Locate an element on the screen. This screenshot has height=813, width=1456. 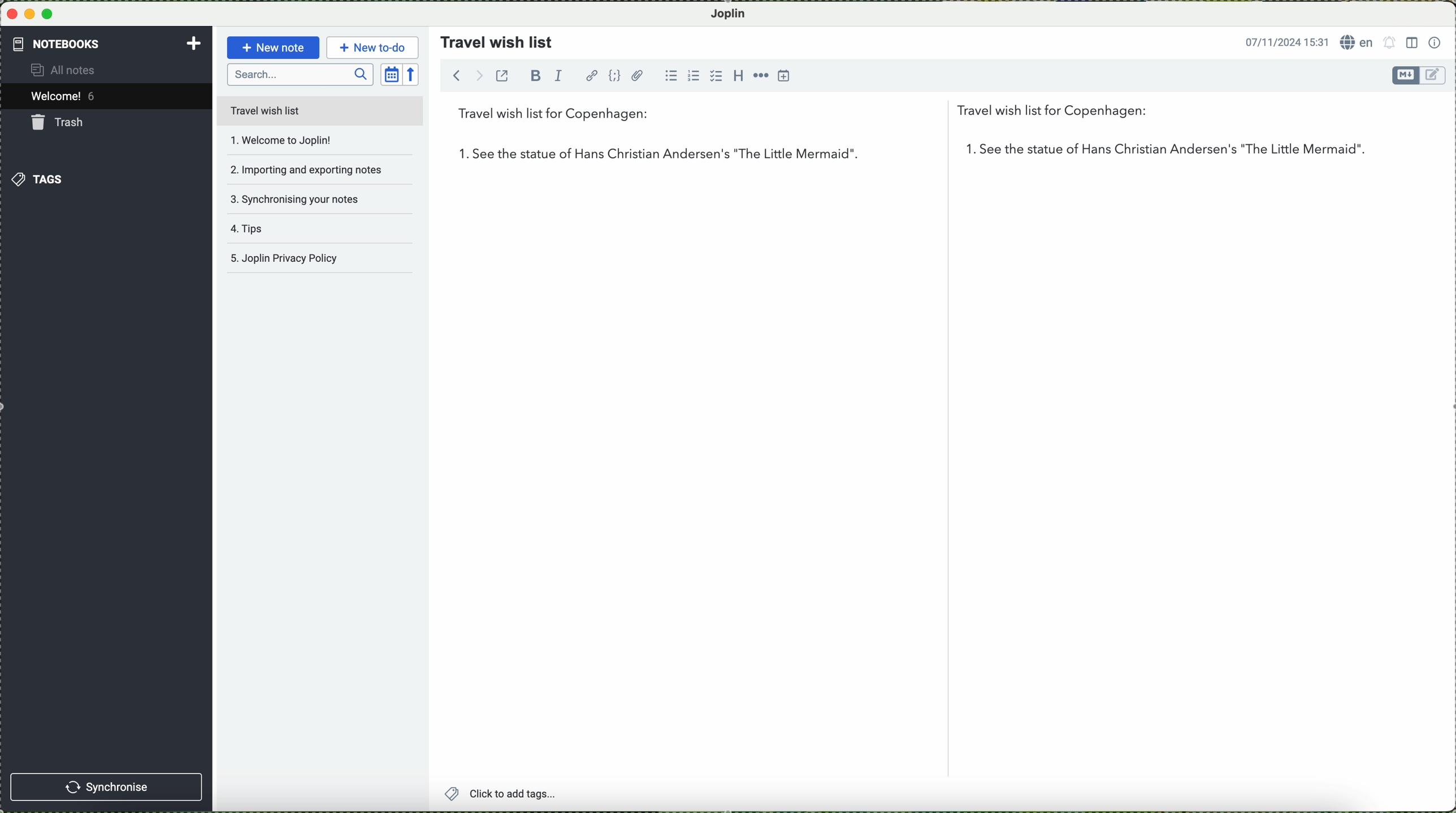
click to add tags is located at coordinates (530, 794).